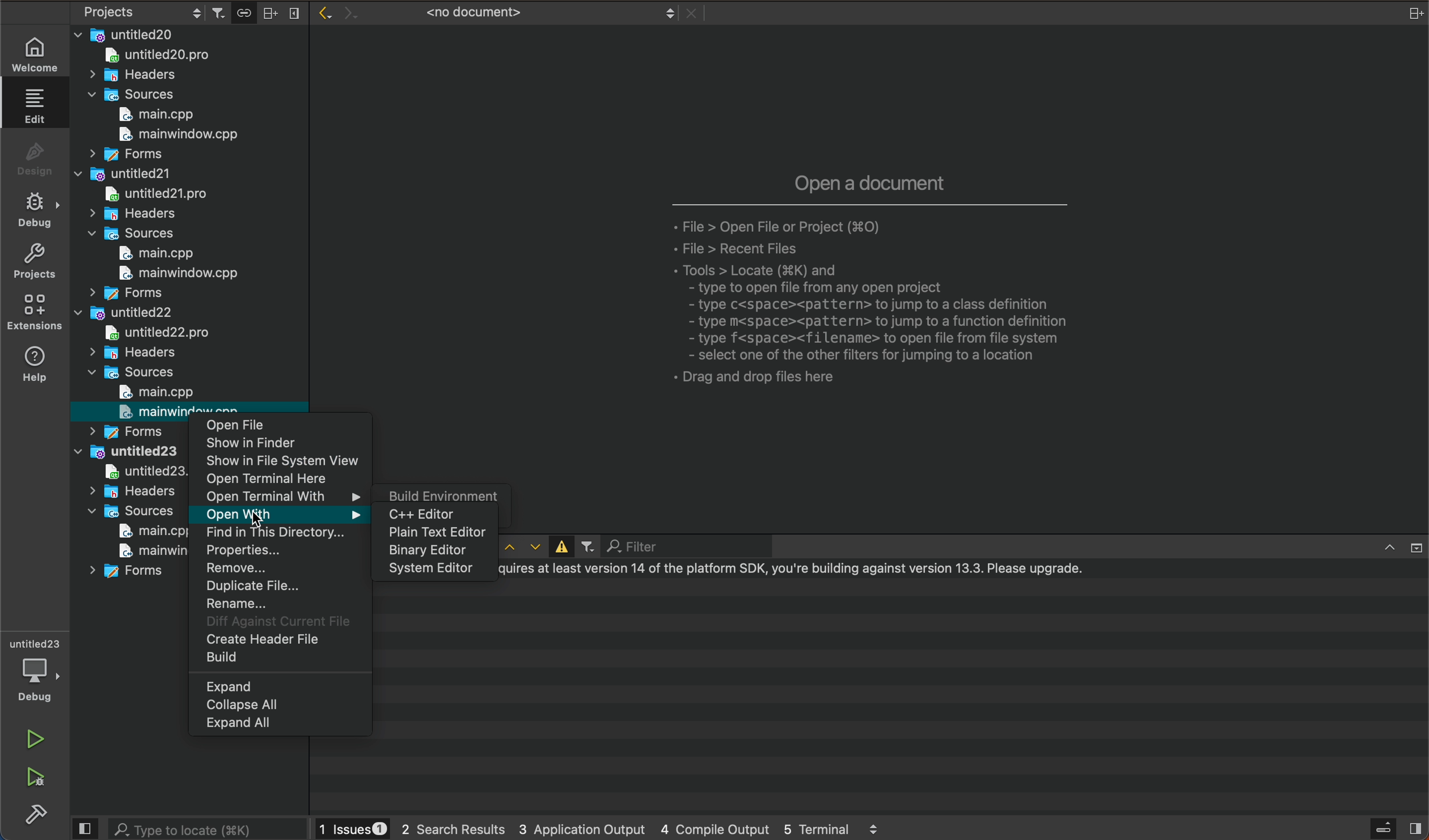  What do you see at coordinates (35, 159) in the screenshot?
I see `design` at bounding box center [35, 159].